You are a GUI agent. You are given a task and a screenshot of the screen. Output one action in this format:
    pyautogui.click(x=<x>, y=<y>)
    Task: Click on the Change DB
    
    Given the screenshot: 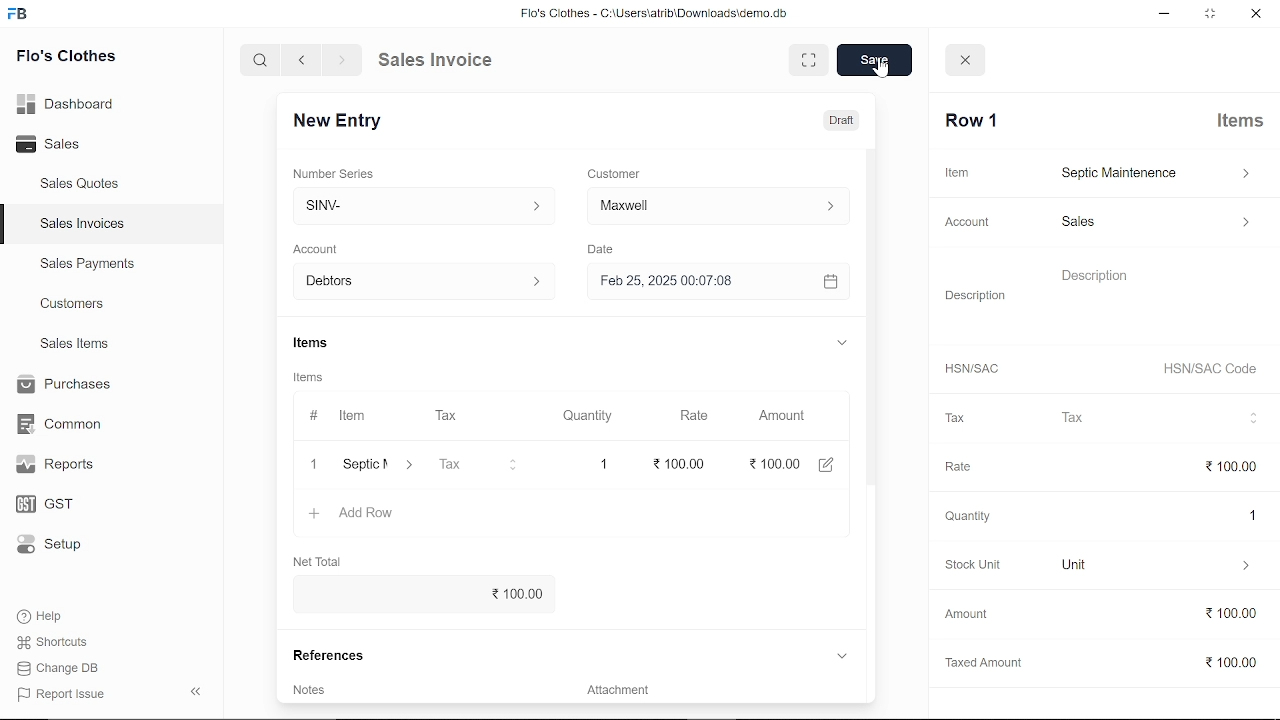 What is the action you would take?
    pyautogui.click(x=60, y=667)
    